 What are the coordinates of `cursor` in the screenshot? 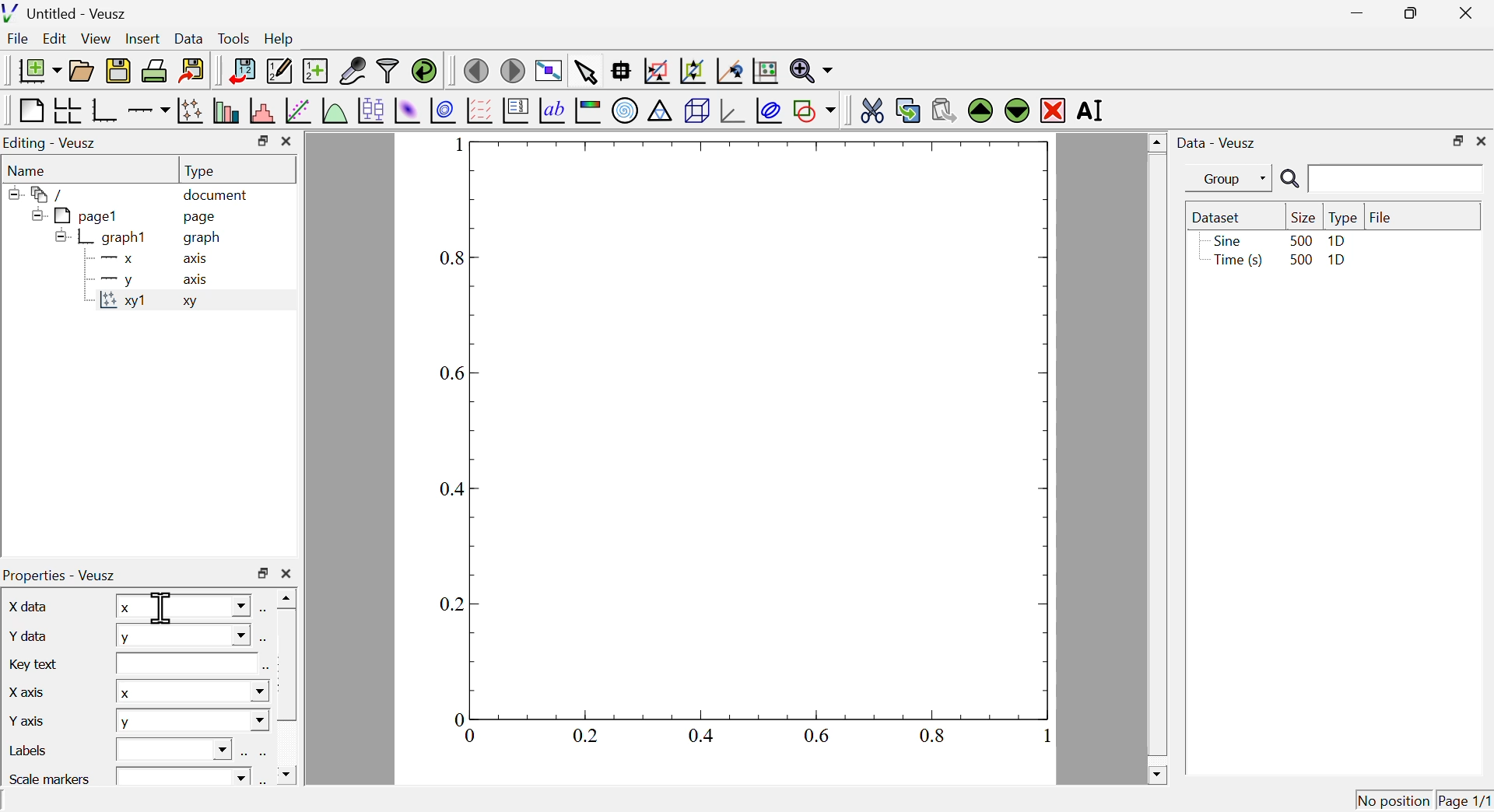 It's located at (192, 51).